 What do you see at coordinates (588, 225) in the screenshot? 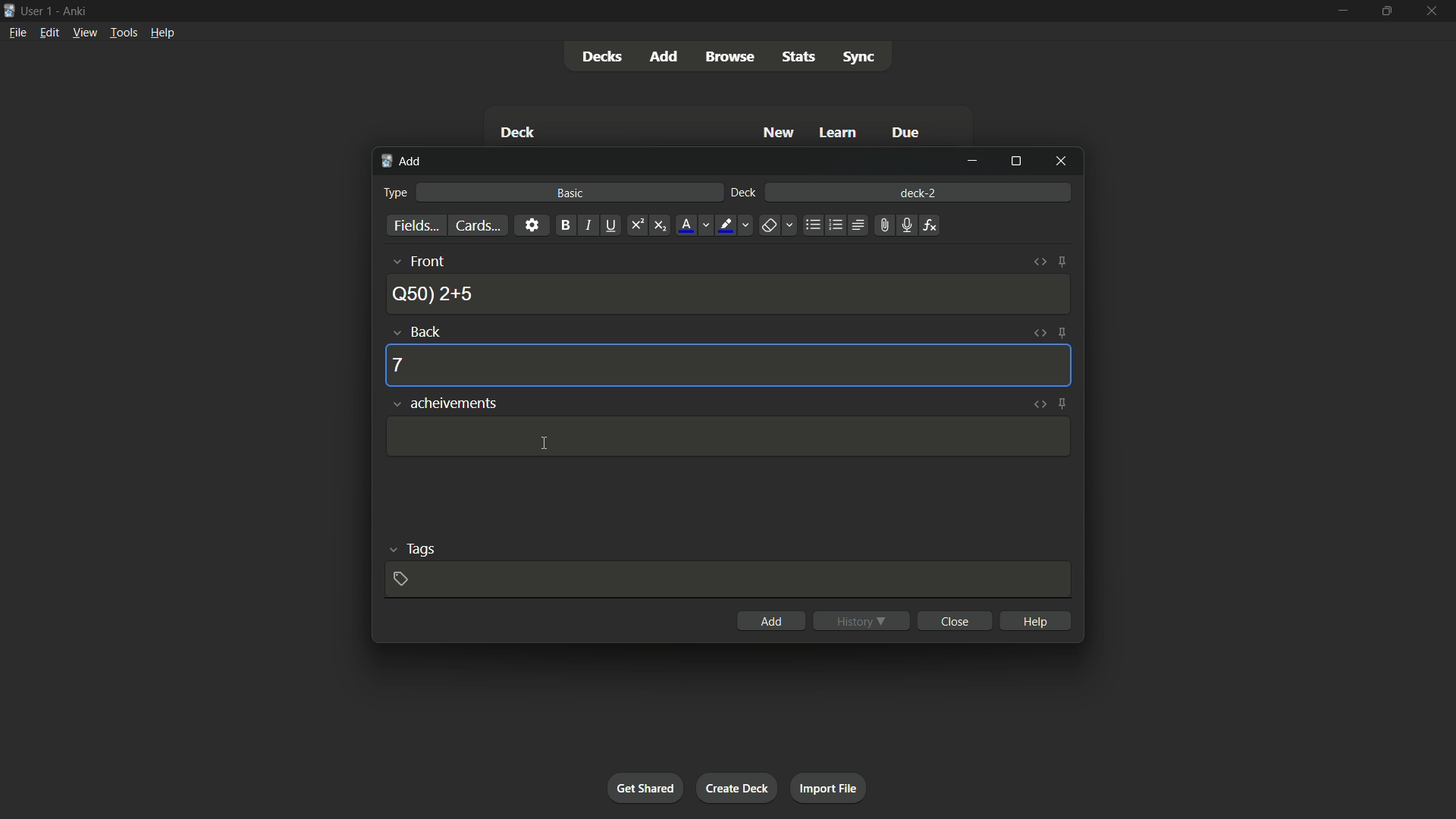
I see `italic` at bounding box center [588, 225].